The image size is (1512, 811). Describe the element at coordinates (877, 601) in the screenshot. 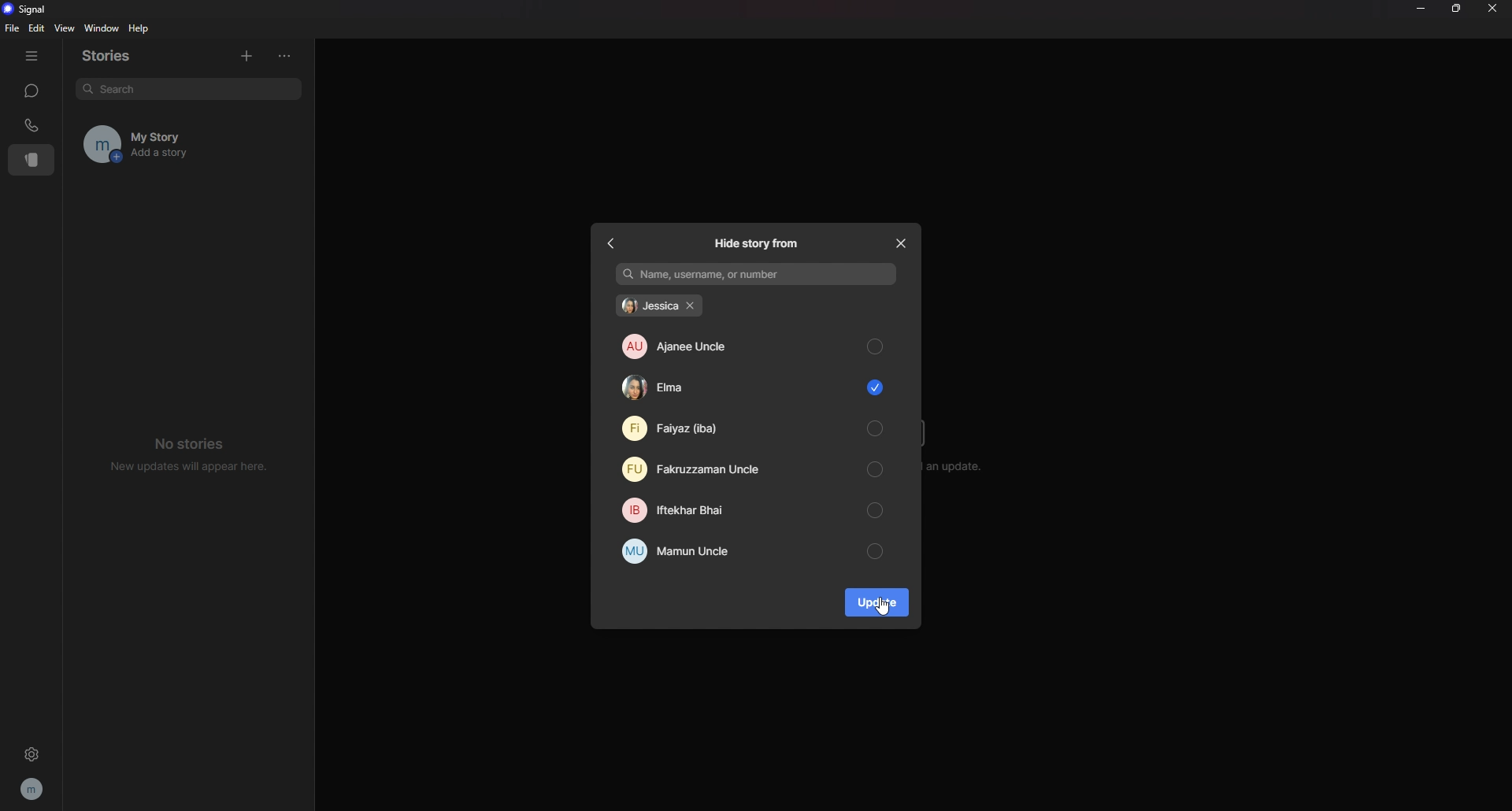

I see `update` at that location.